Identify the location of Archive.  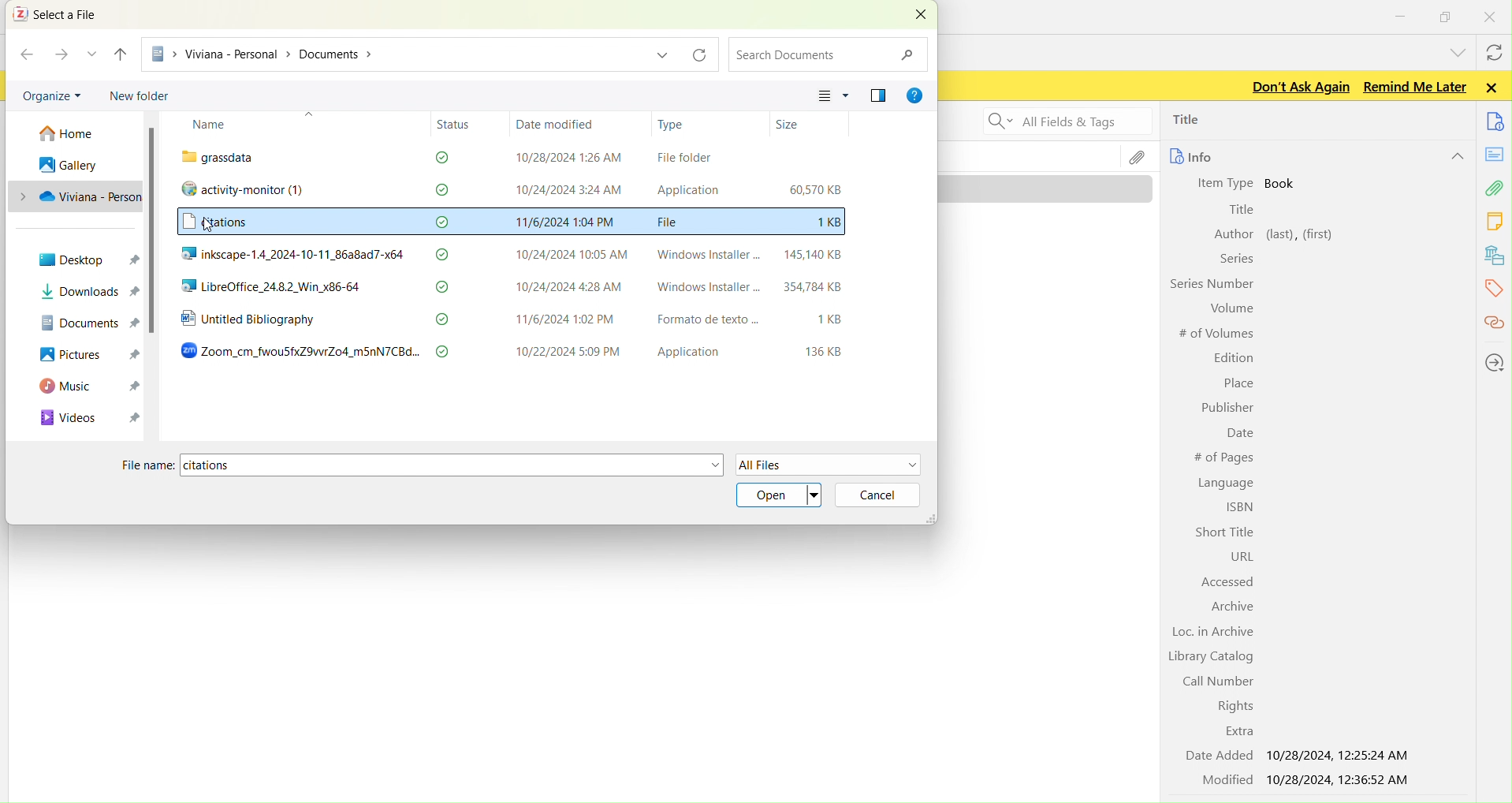
(1233, 606).